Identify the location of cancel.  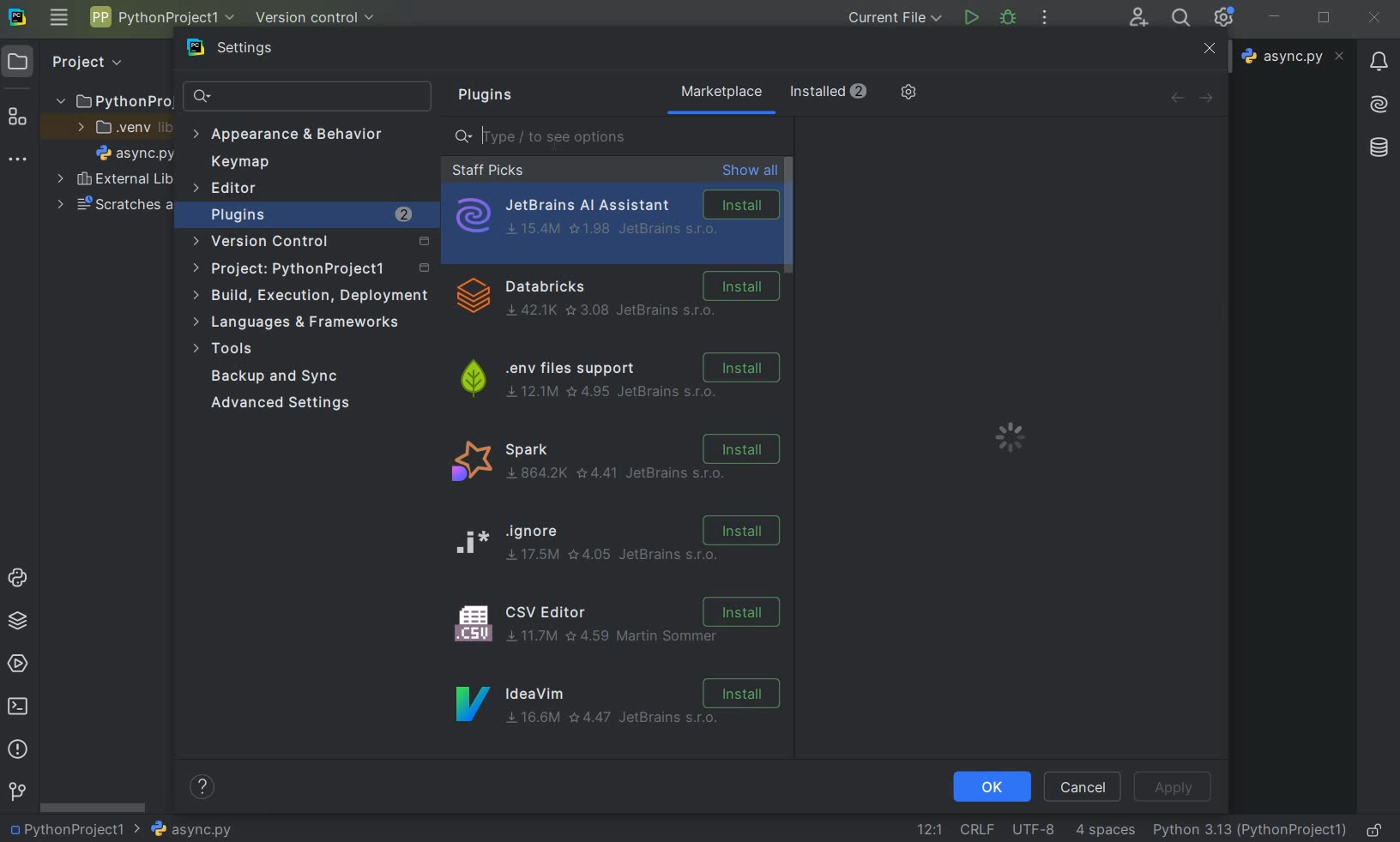
(1083, 788).